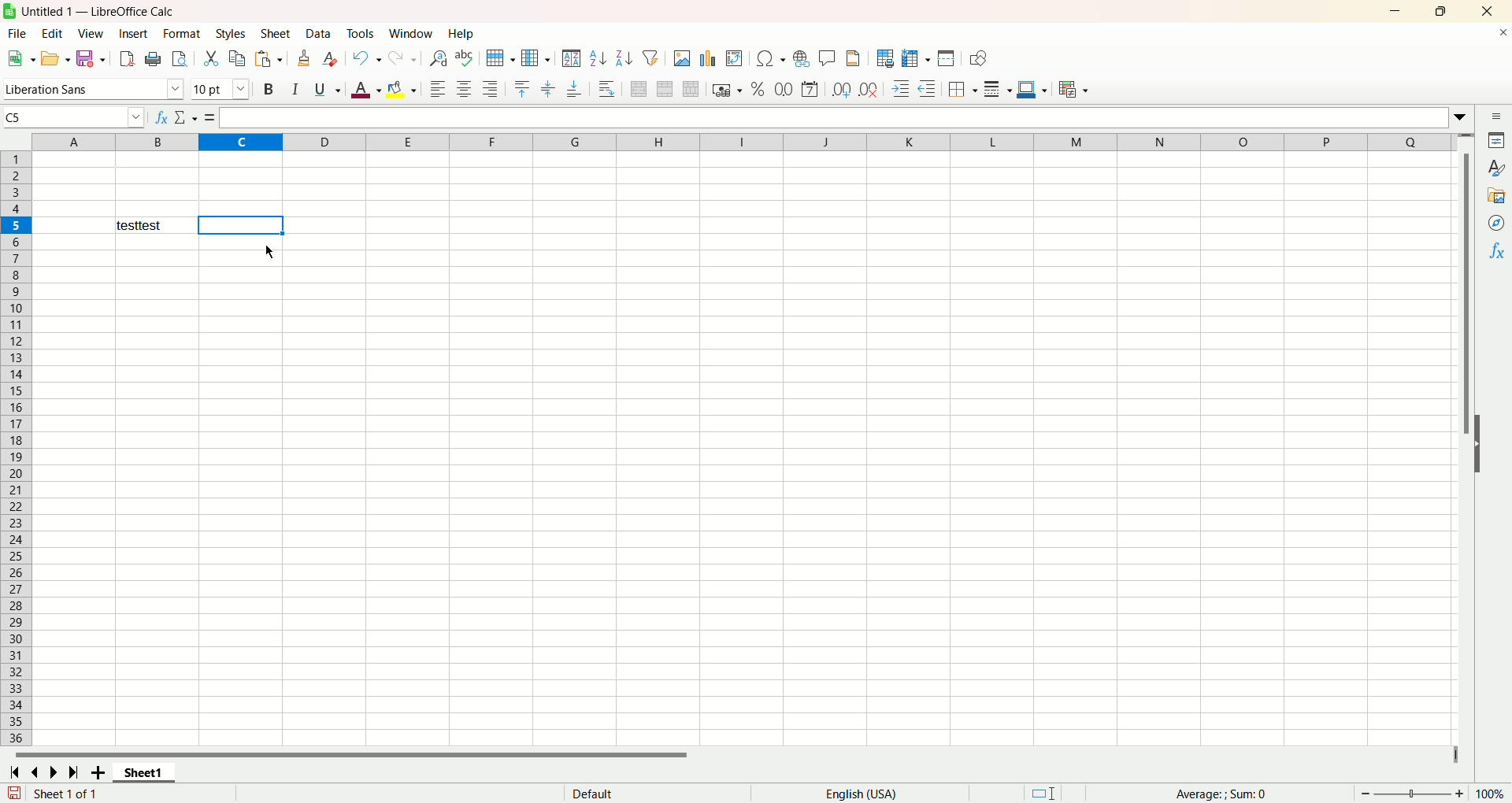  I want to click on properties, so click(1494, 139).